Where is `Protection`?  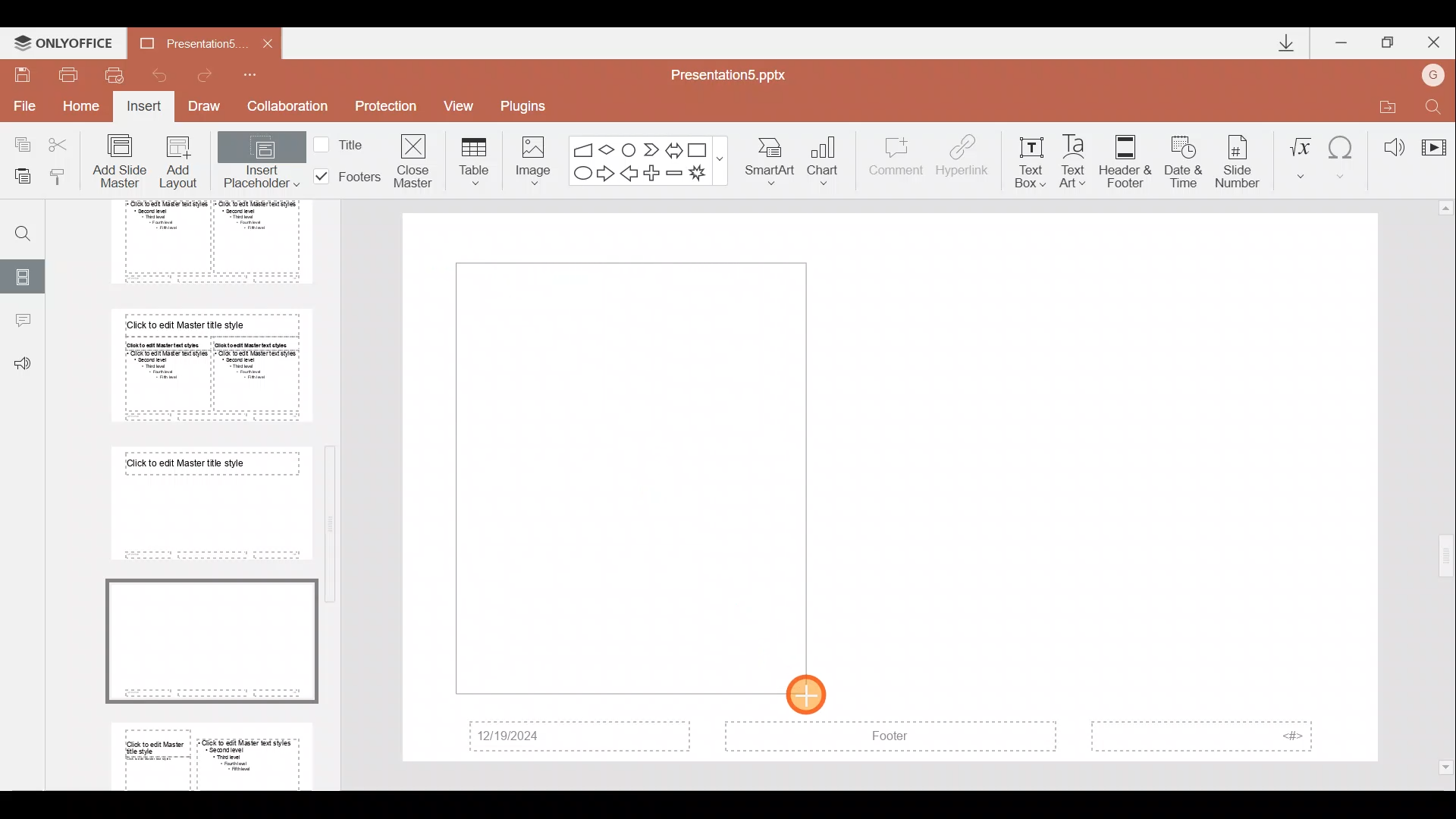
Protection is located at coordinates (385, 108).